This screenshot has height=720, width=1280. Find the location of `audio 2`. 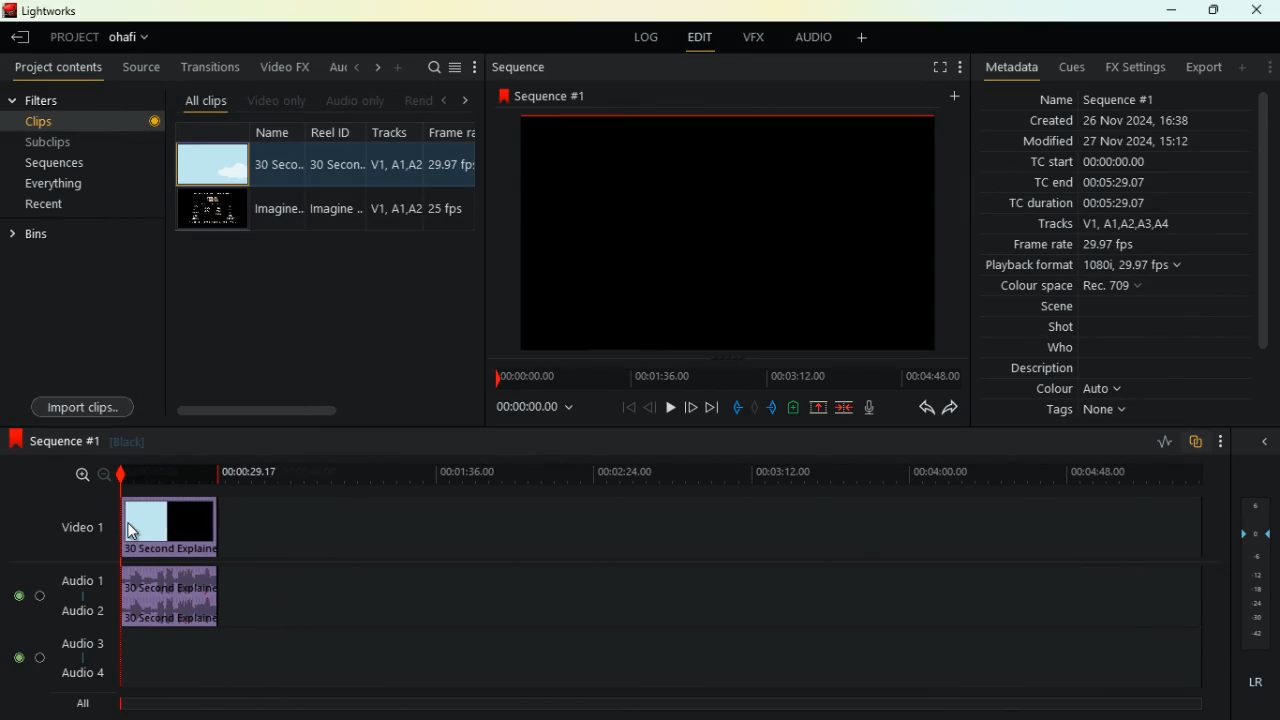

audio 2 is located at coordinates (78, 613).